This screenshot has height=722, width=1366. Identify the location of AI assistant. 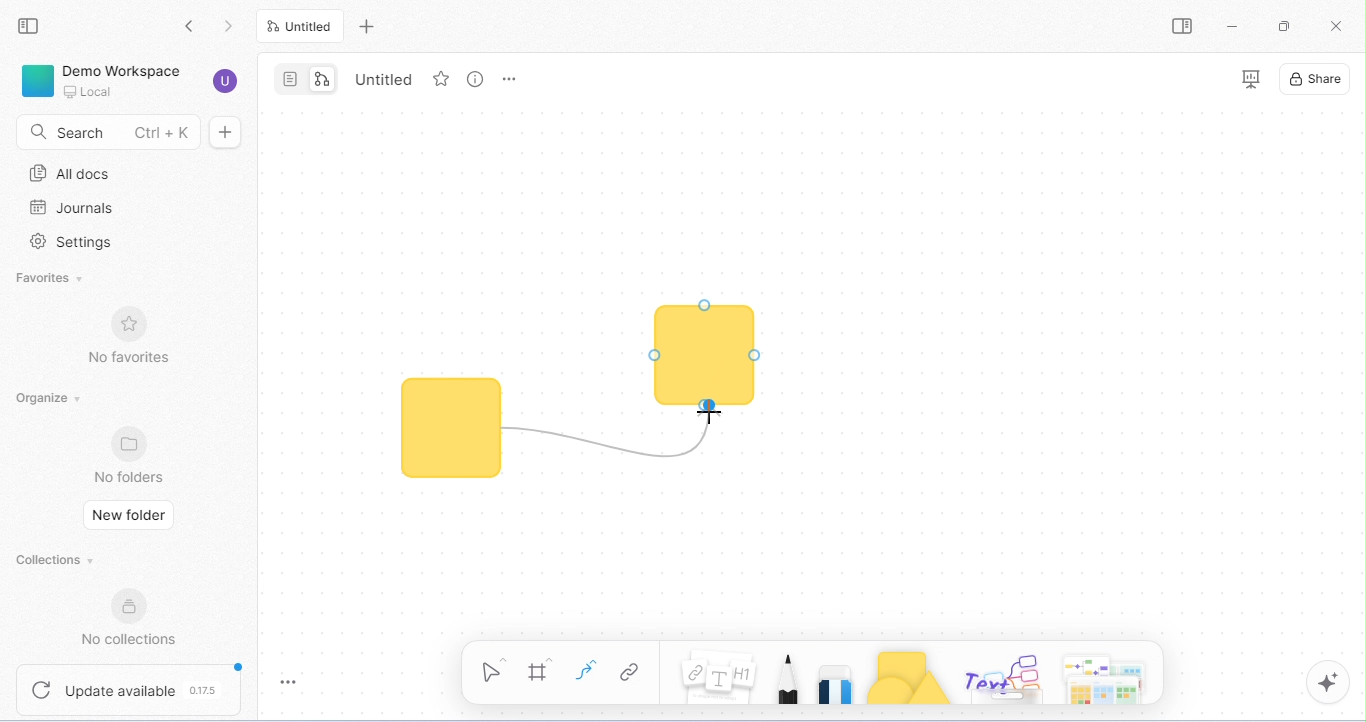
(1328, 681).